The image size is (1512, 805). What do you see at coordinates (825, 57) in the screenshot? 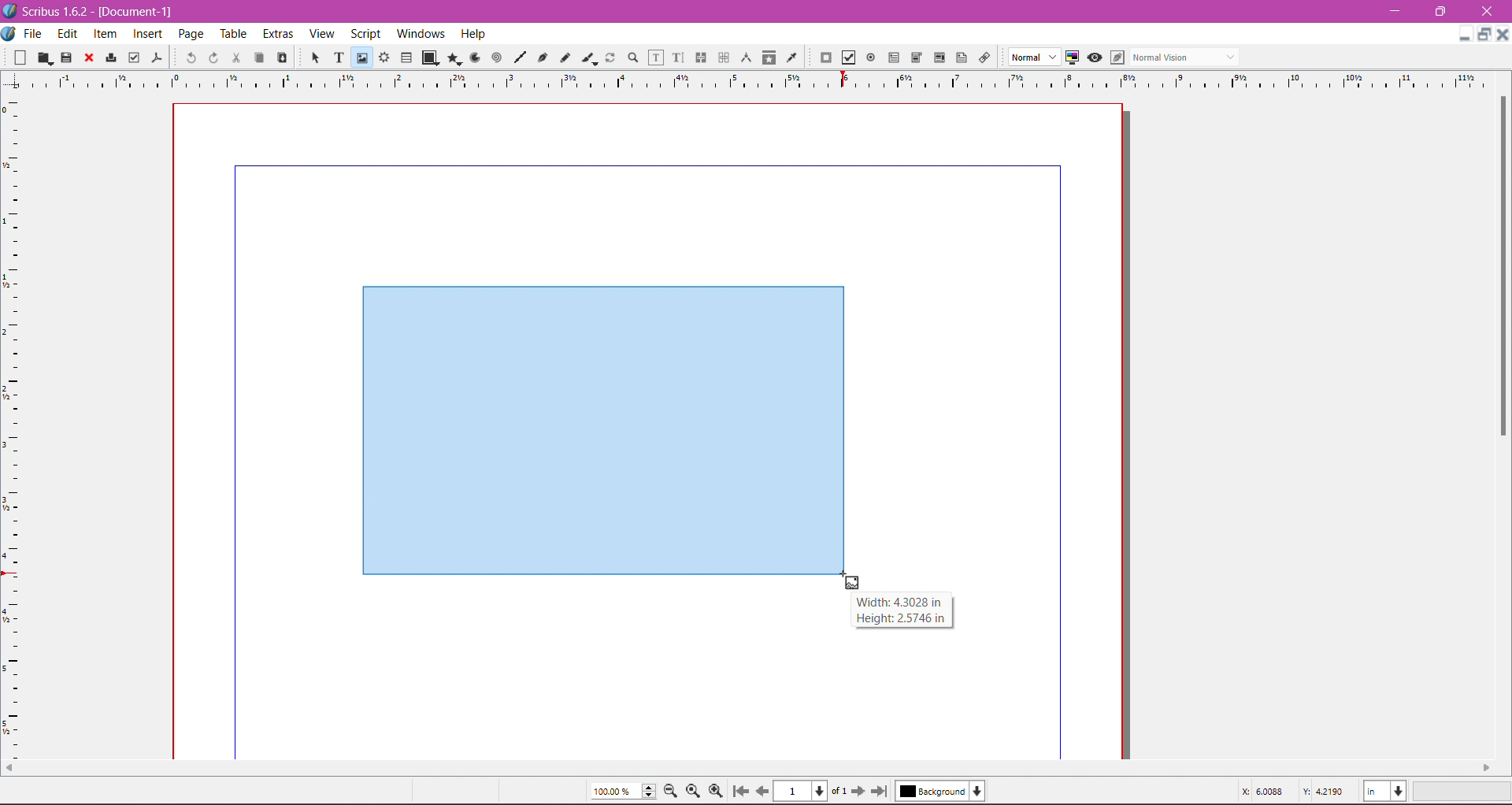
I see `PDF Push Button` at bounding box center [825, 57].